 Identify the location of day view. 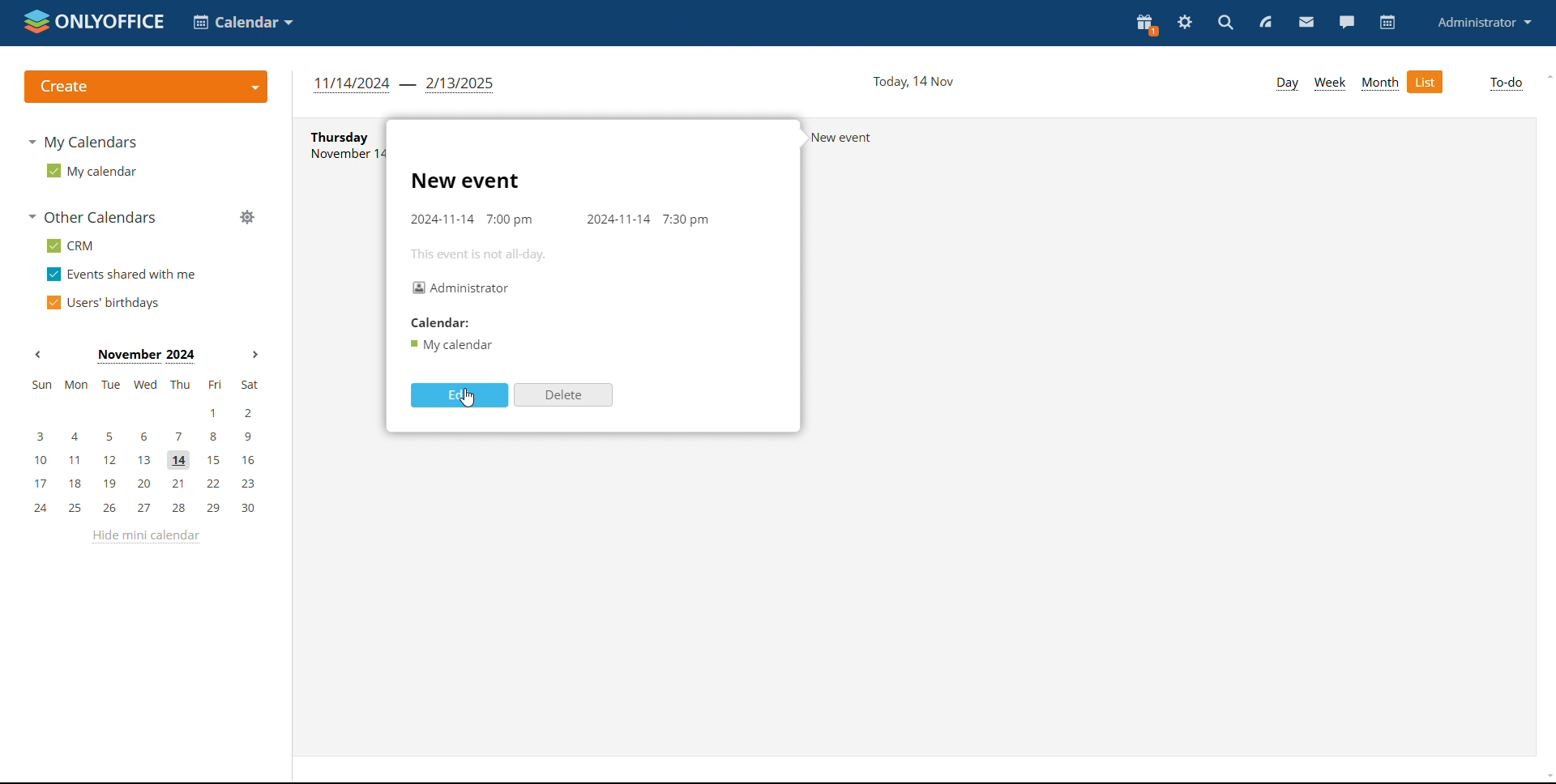
(1285, 83).